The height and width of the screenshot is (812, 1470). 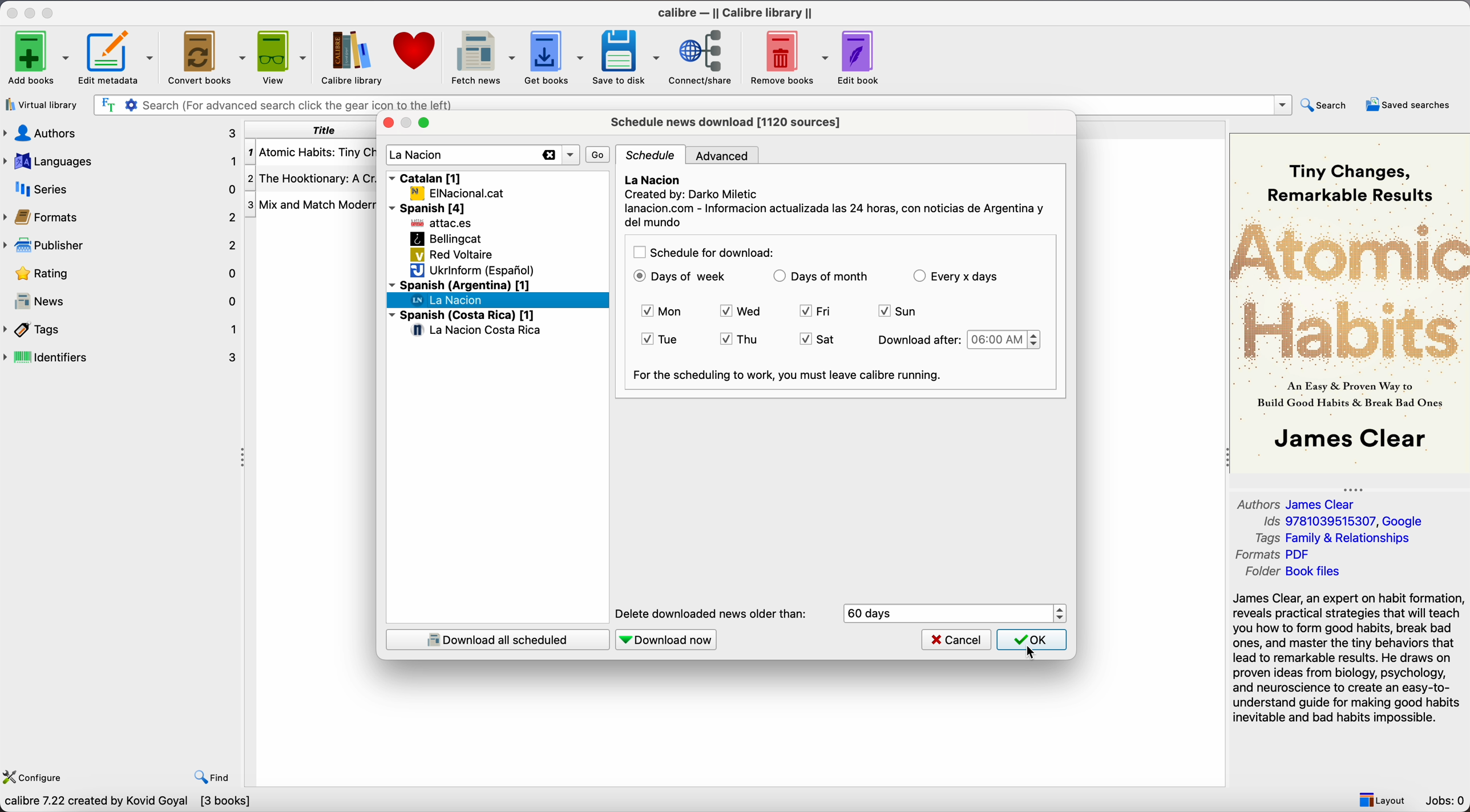 I want to click on donate, so click(x=413, y=55).